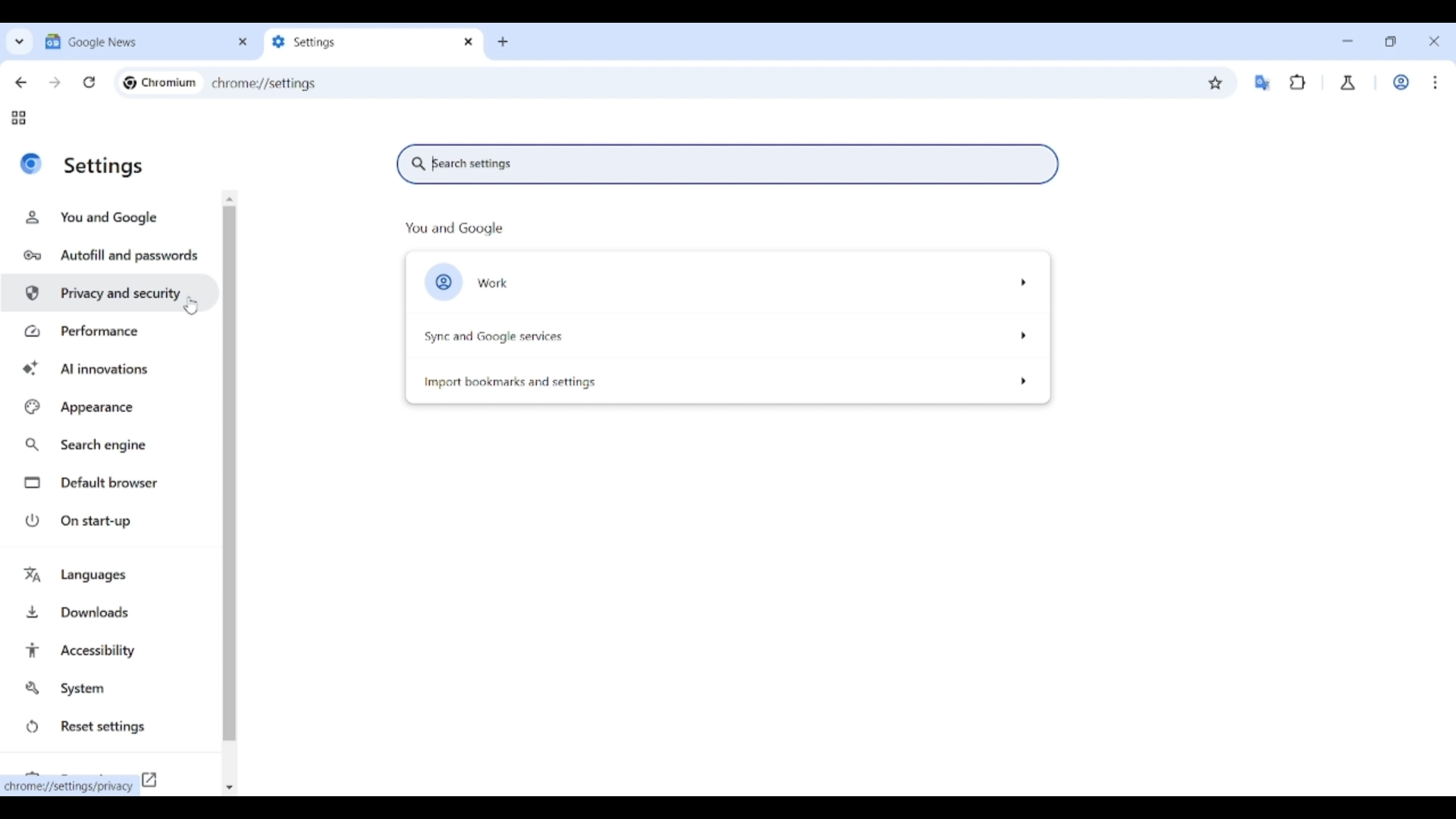 The image size is (1456, 819). I want to click on Performance , so click(109, 331).